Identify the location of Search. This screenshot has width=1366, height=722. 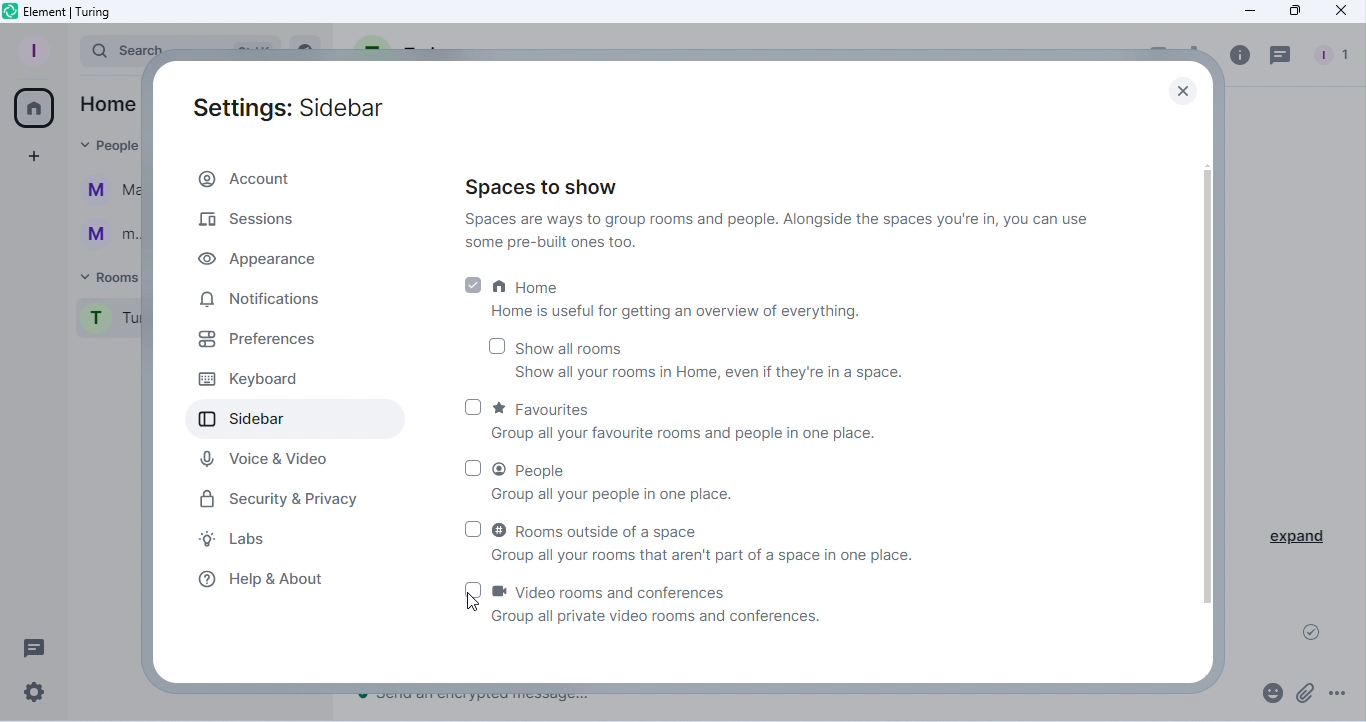
(108, 52).